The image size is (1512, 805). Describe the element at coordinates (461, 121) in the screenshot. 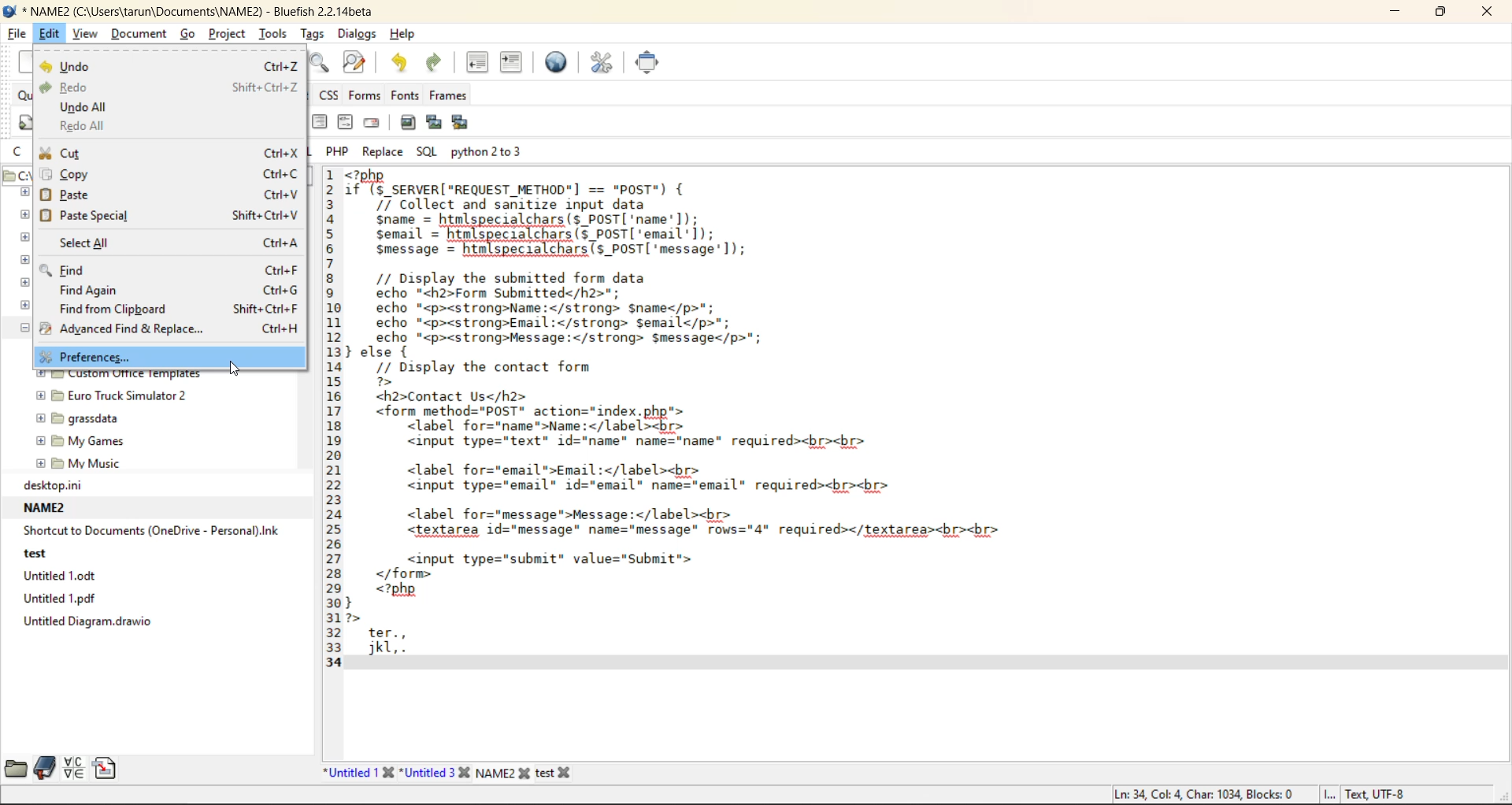

I see `insert multiple thumbnail` at that location.